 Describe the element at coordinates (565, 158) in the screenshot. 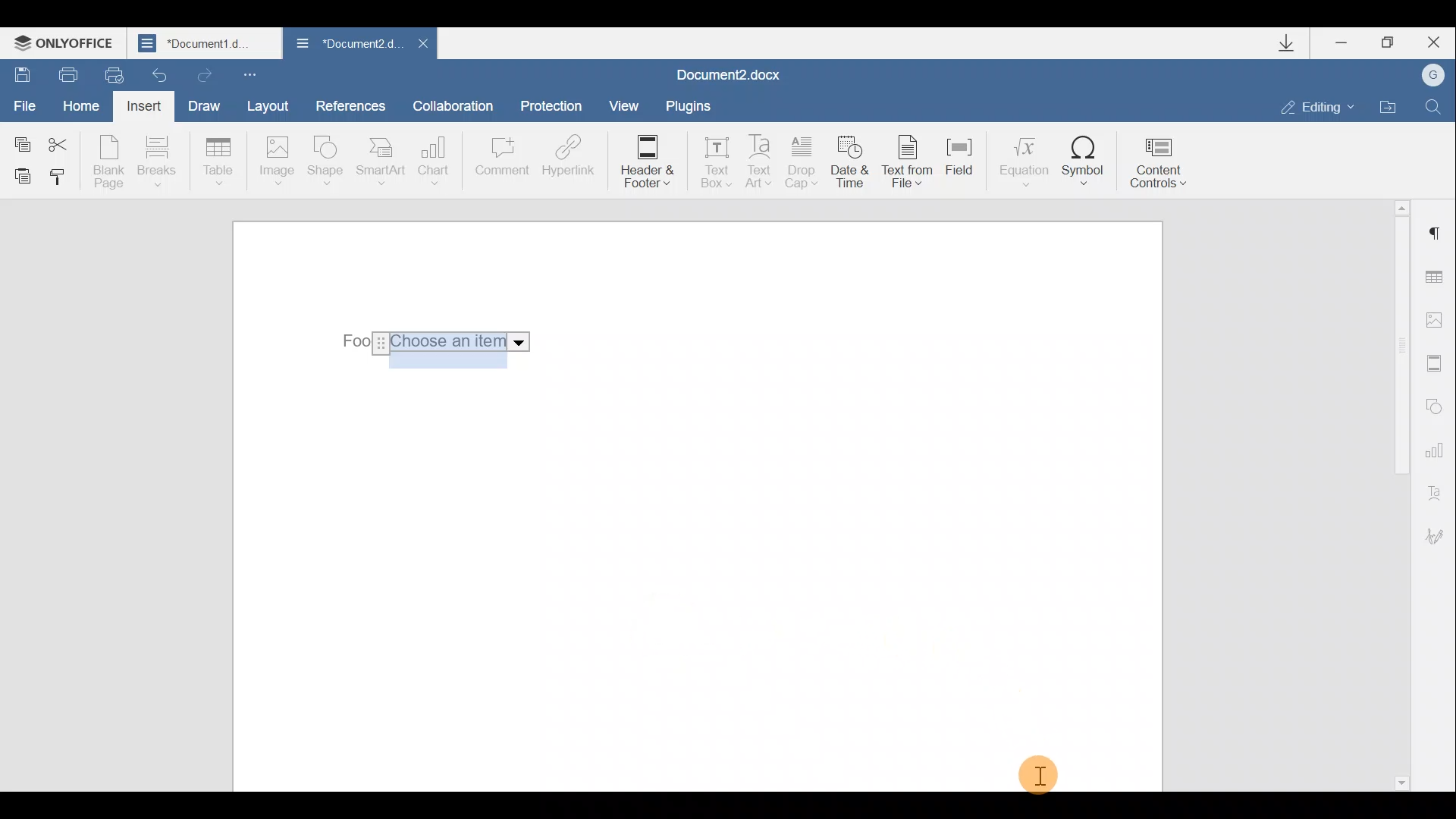

I see `Hyperlink` at that location.